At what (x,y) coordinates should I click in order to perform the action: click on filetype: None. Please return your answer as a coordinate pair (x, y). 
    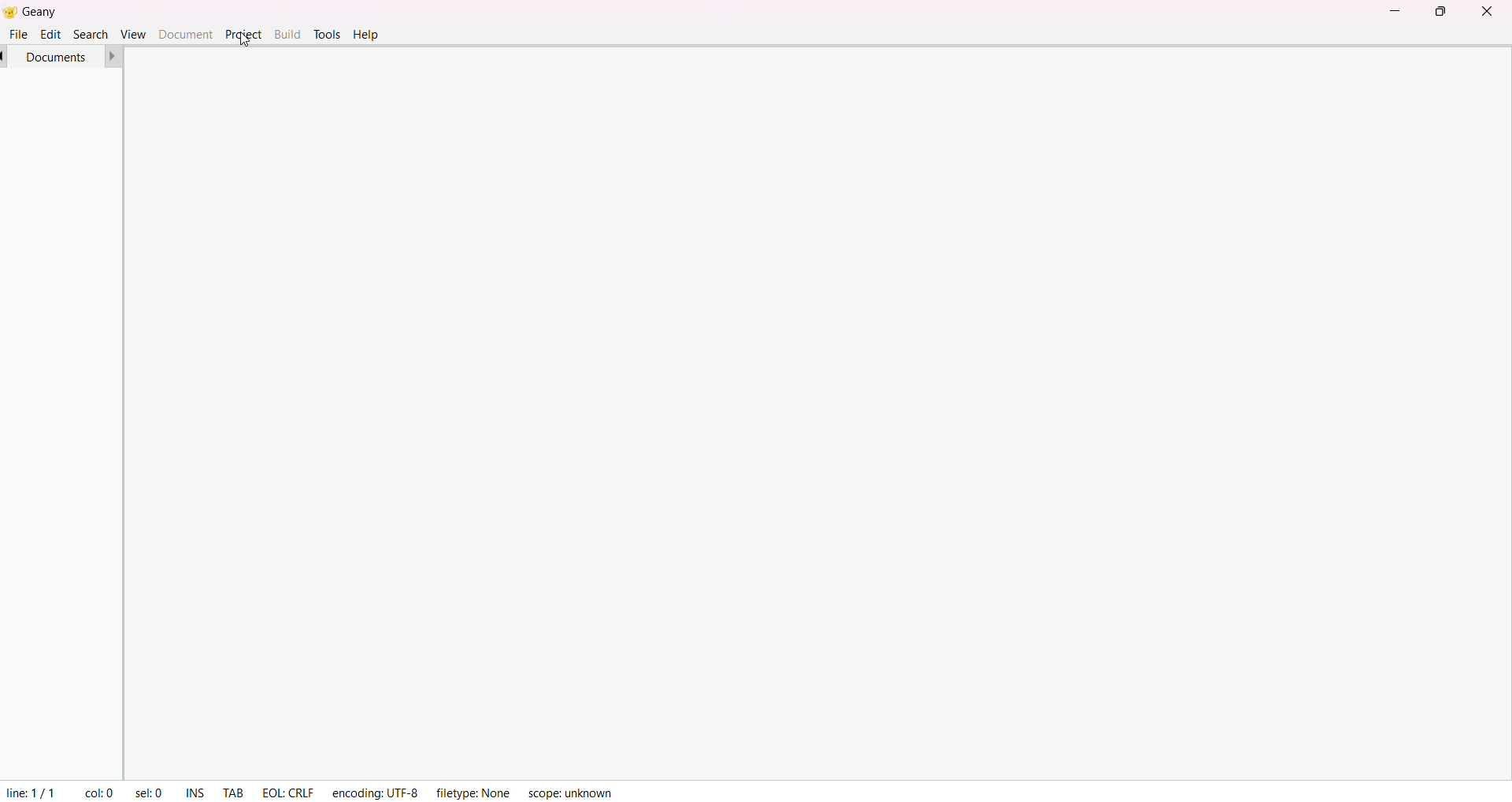
    Looking at the image, I should click on (470, 790).